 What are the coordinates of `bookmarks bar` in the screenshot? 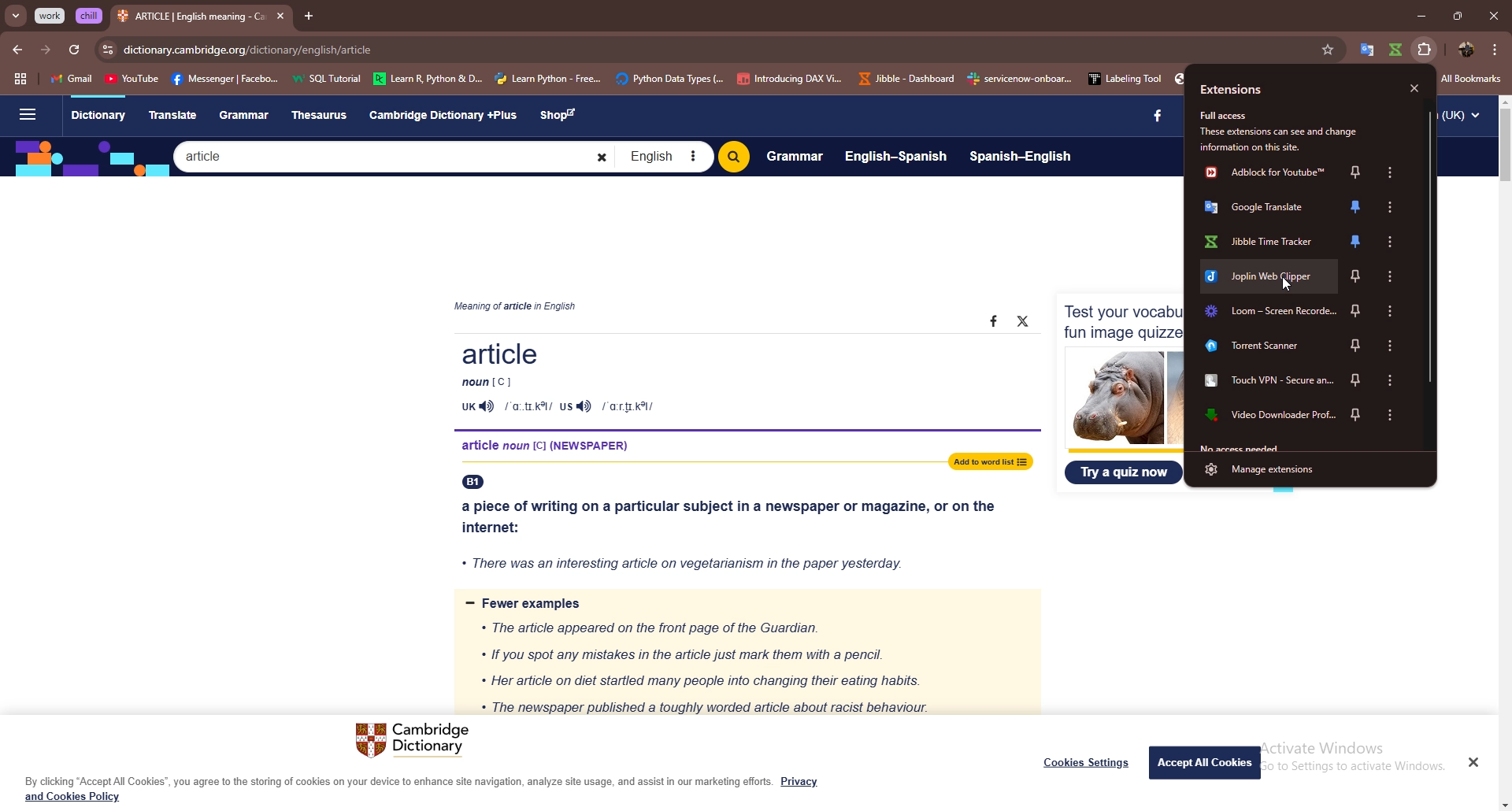 It's located at (613, 77).